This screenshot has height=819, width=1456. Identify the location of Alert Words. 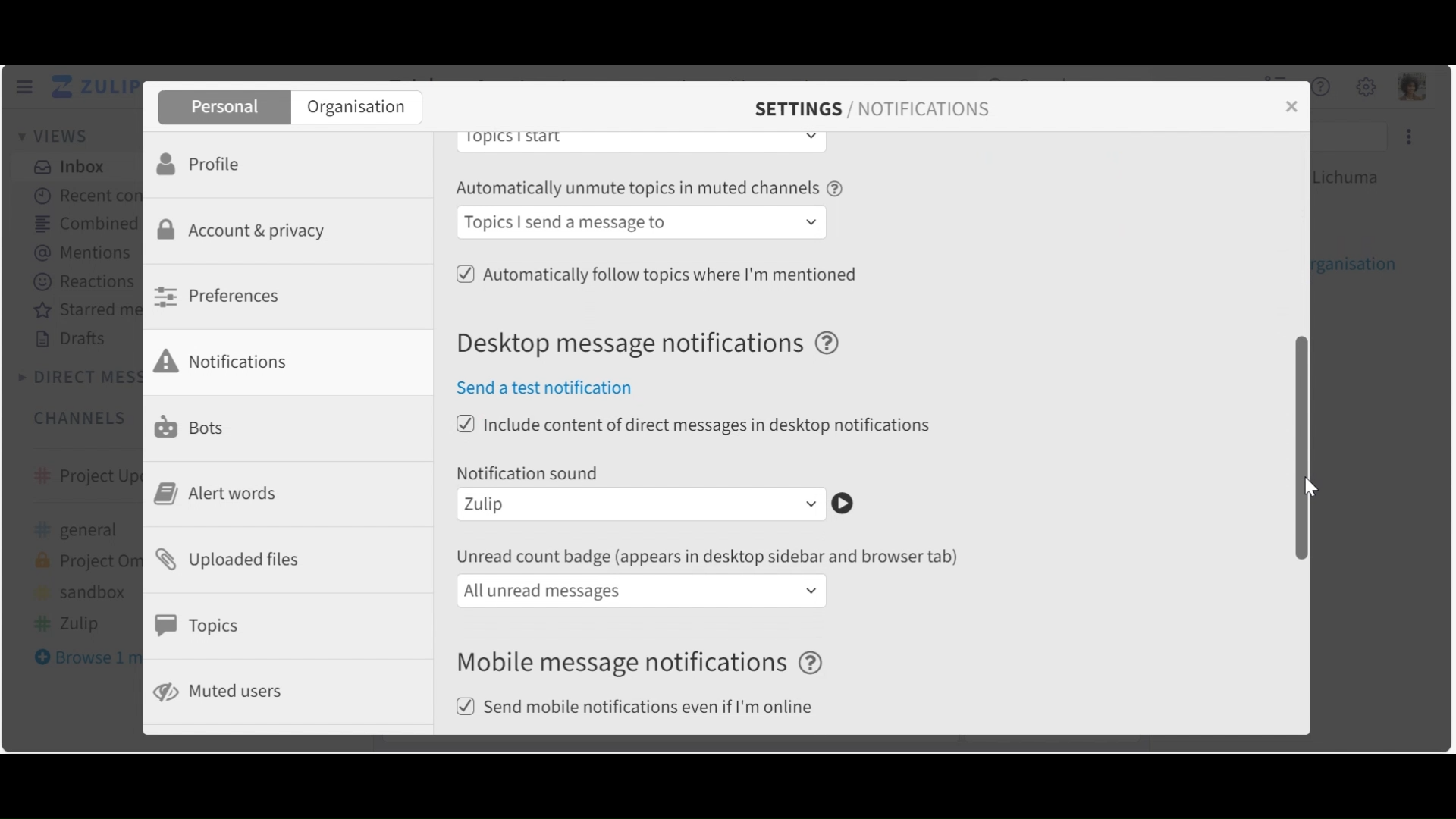
(221, 494).